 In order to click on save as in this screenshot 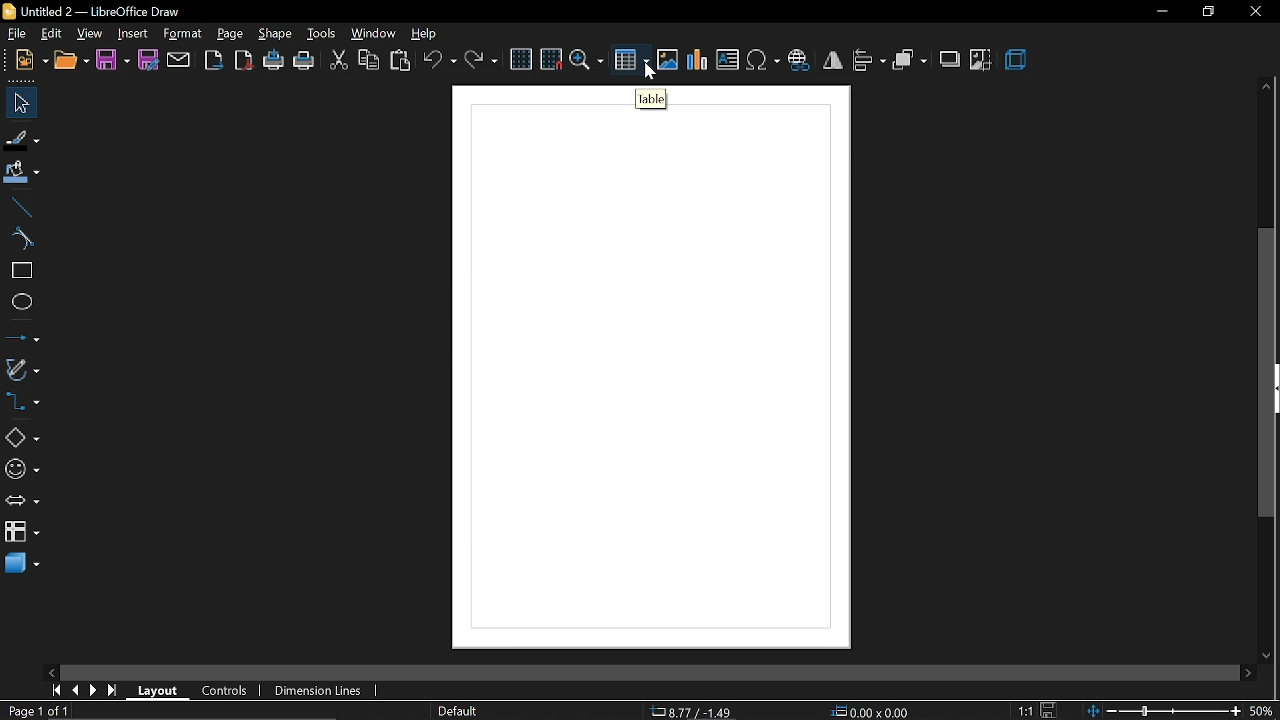, I will do `click(147, 59)`.